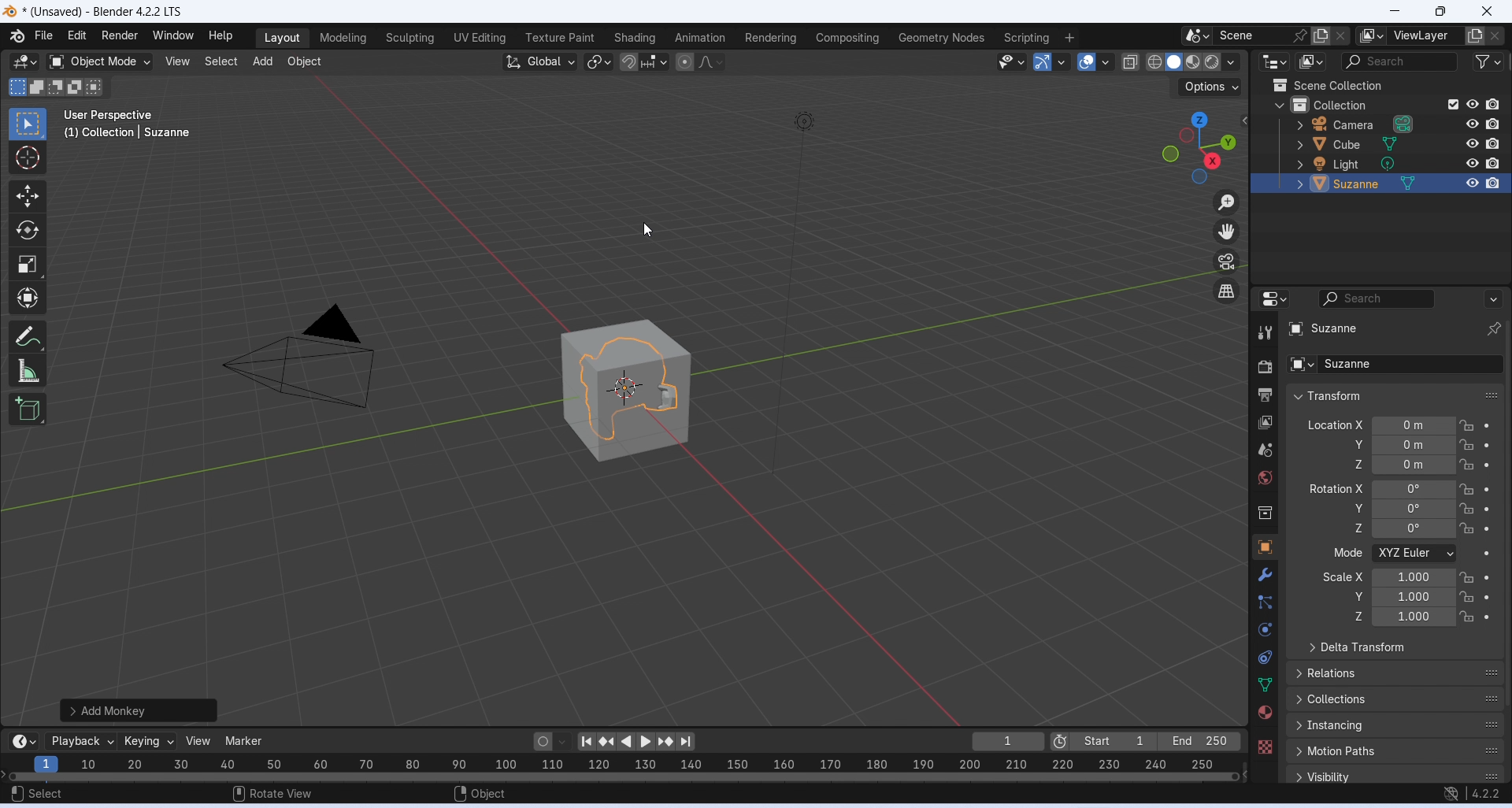 This screenshot has width=1512, height=808. Describe the element at coordinates (1392, 12) in the screenshot. I see `Minimize` at that location.